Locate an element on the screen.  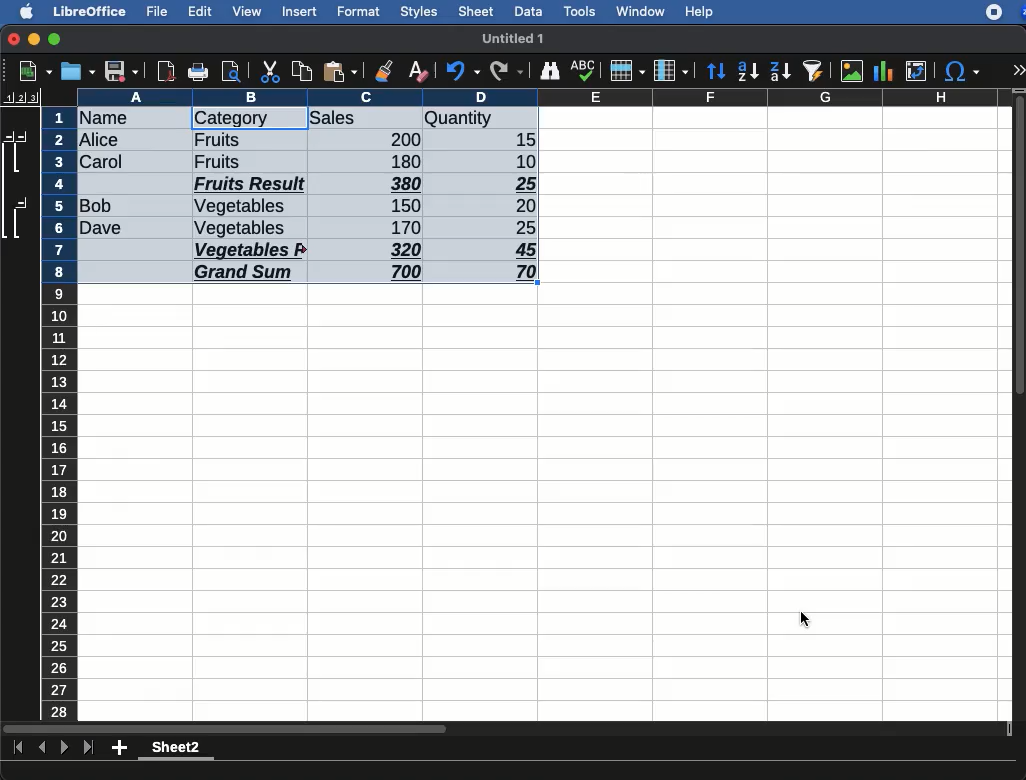
column is located at coordinates (671, 72).